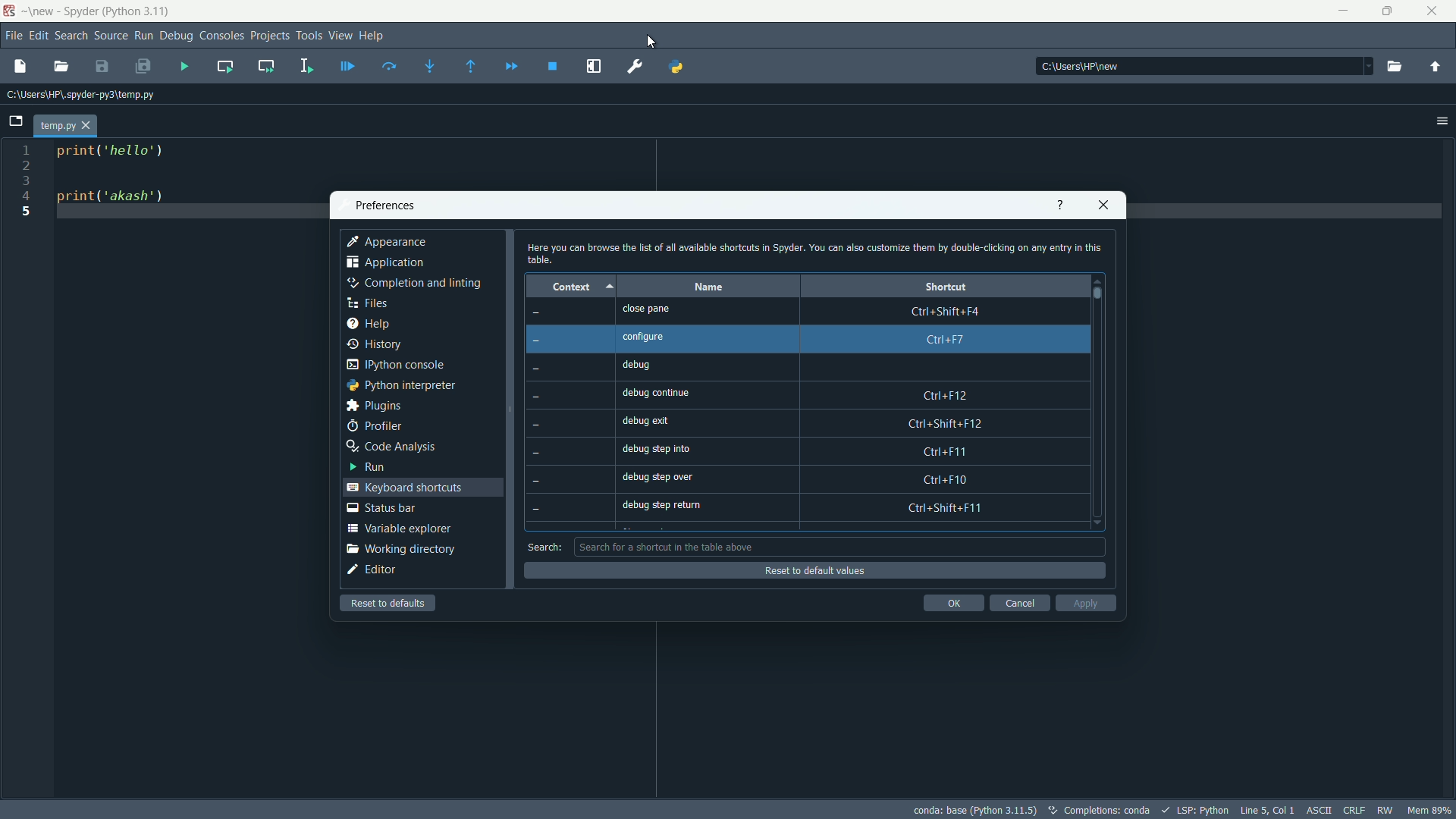 Image resolution: width=1456 pixels, height=819 pixels. I want to click on ipython console, so click(395, 366).